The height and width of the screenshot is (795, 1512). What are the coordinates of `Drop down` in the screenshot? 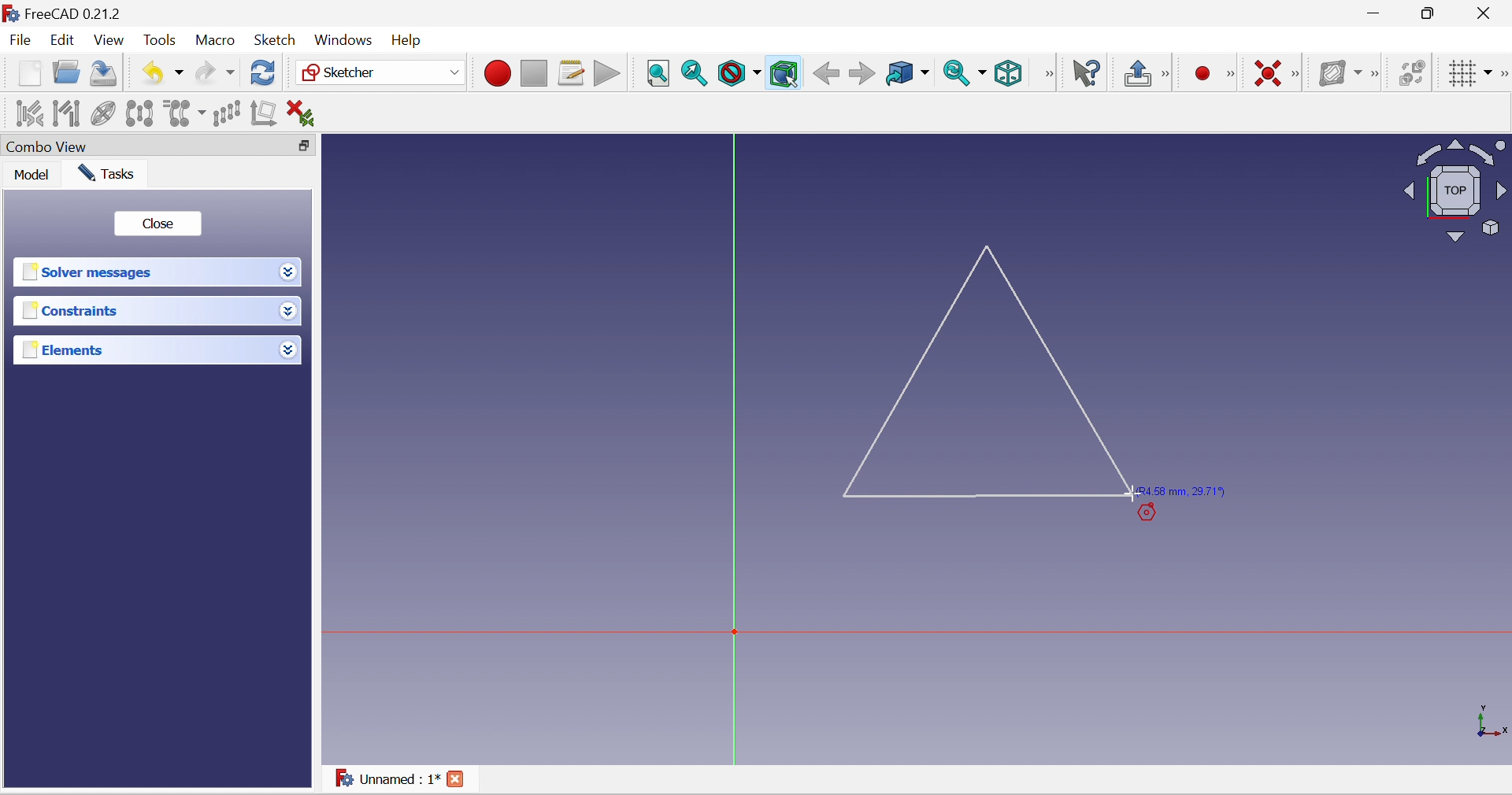 It's located at (289, 349).